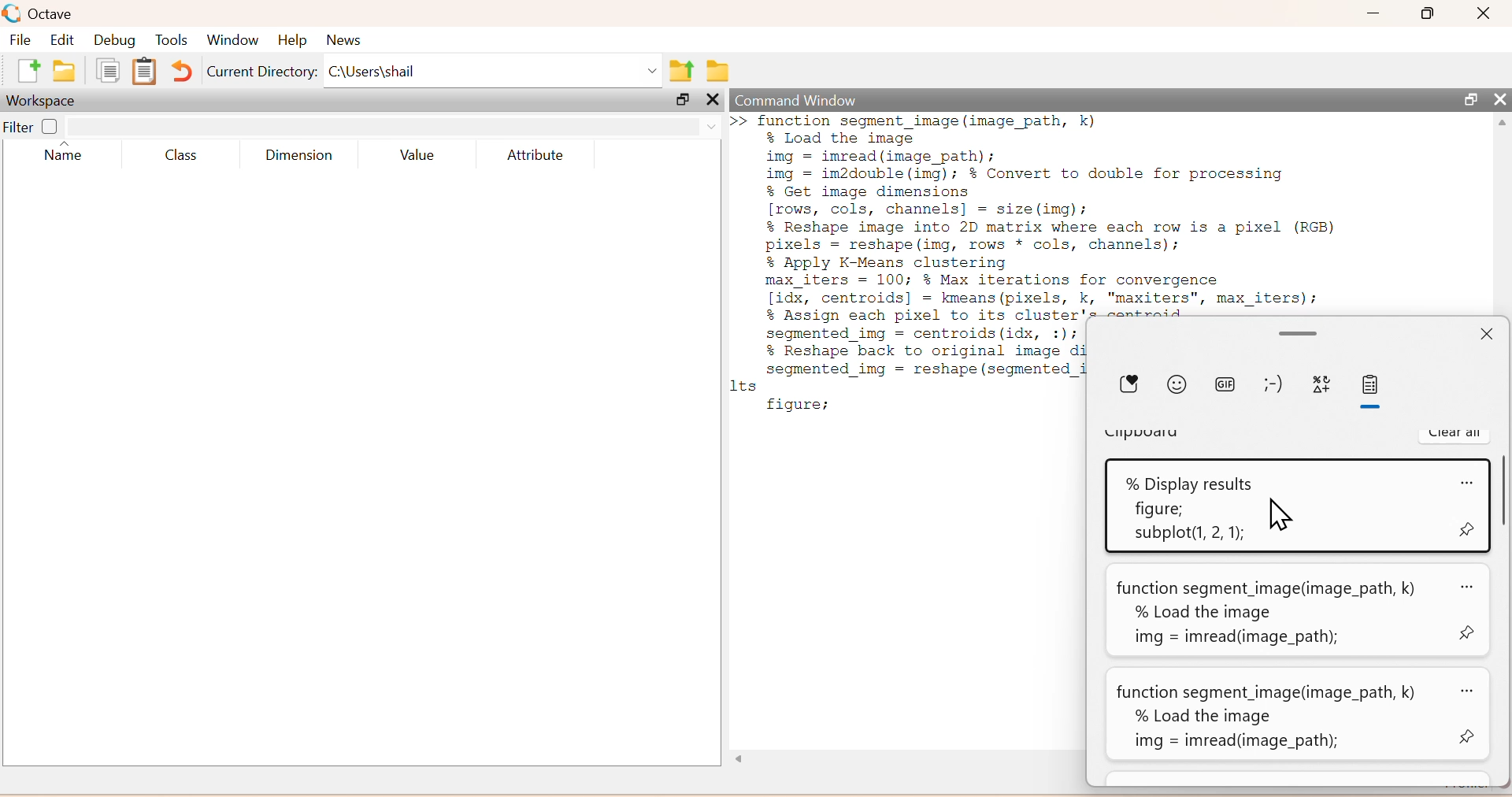 This screenshot has height=797, width=1512. Describe the element at coordinates (1496, 100) in the screenshot. I see `Close` at that location.